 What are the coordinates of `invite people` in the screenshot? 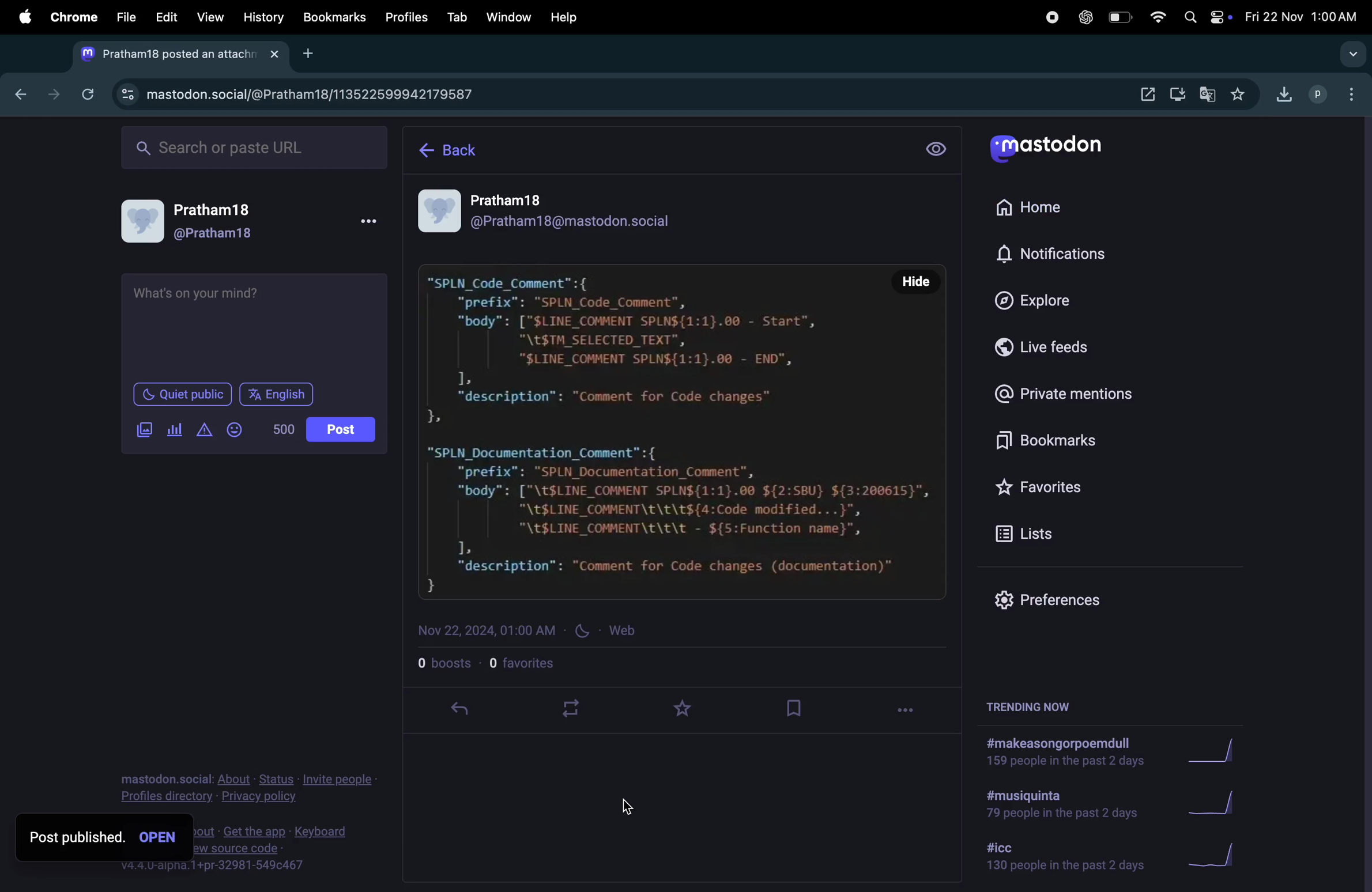 It's located at (337, 780).